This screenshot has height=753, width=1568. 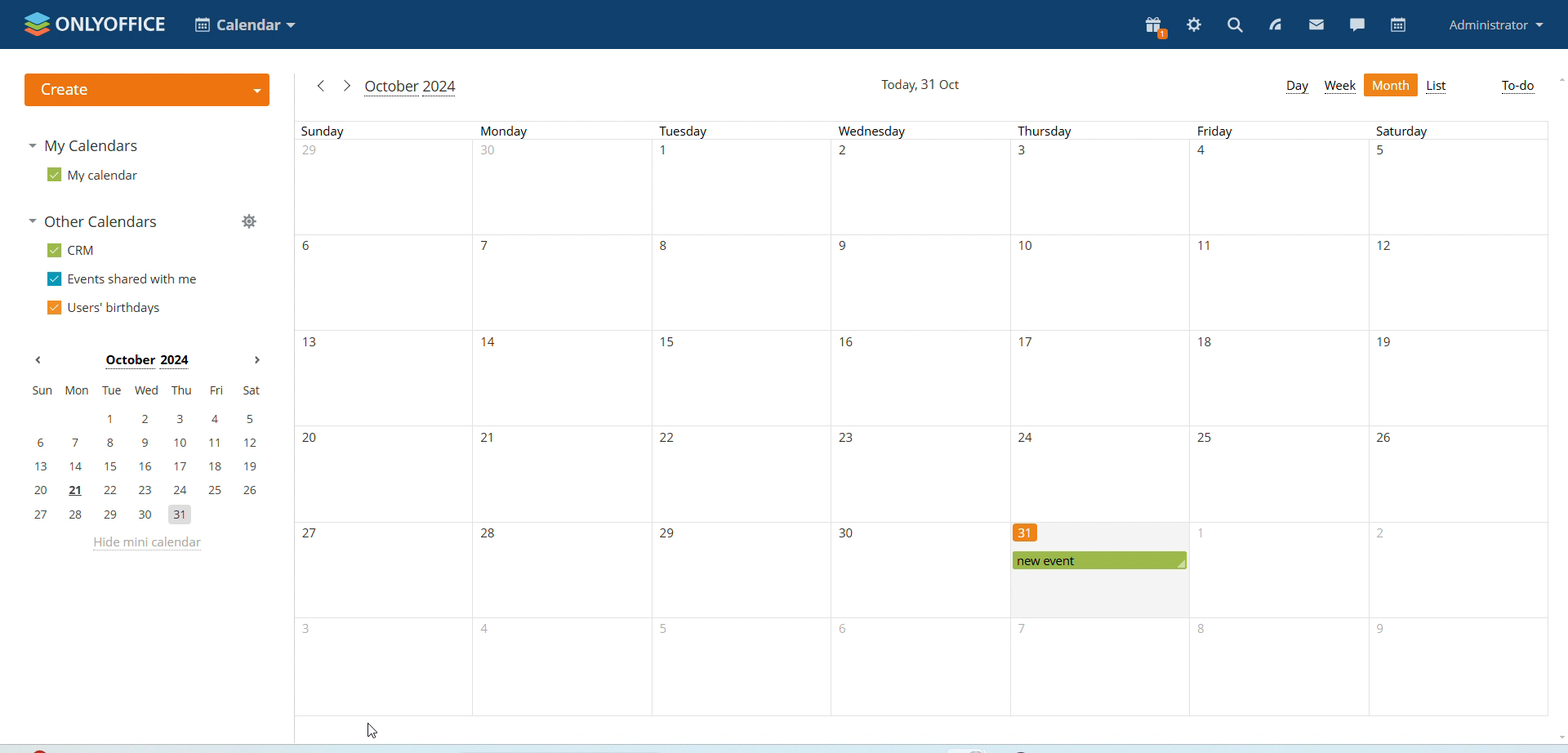 I want to click on previous month, so click(x=38, y=360).